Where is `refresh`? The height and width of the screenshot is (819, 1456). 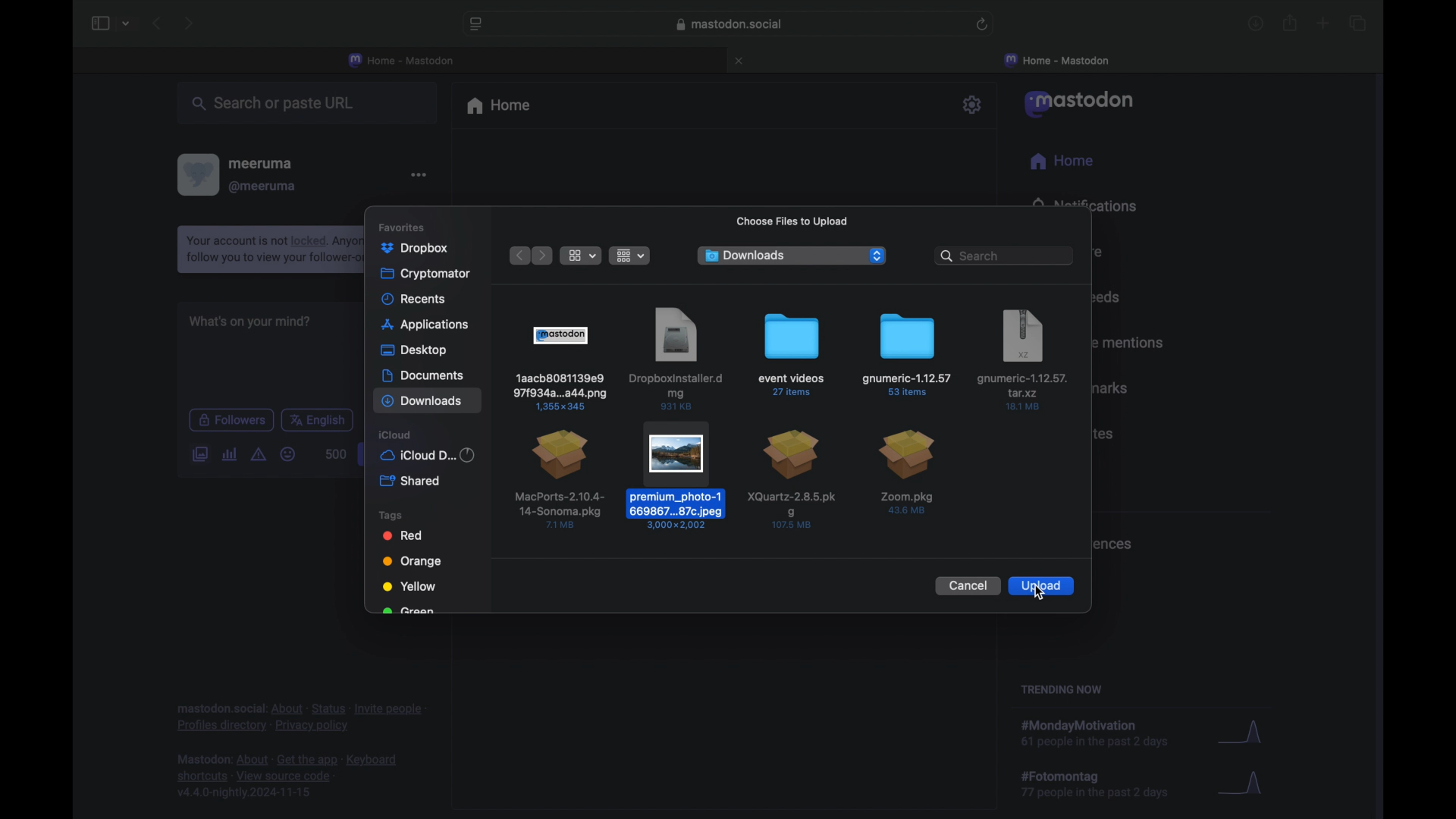 refresh is located at coordinates (983, 25).